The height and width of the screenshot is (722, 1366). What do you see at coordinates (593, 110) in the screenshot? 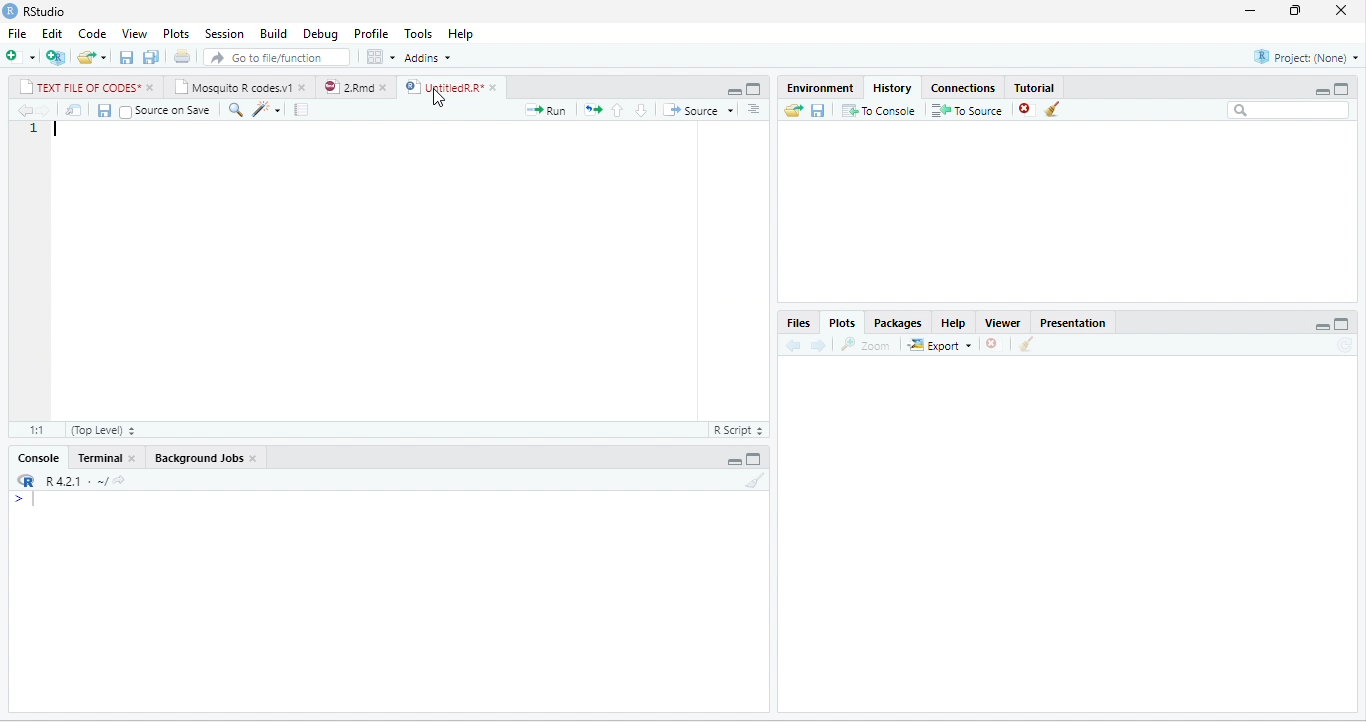
I see `rerun` at bounding box center [593, 110].